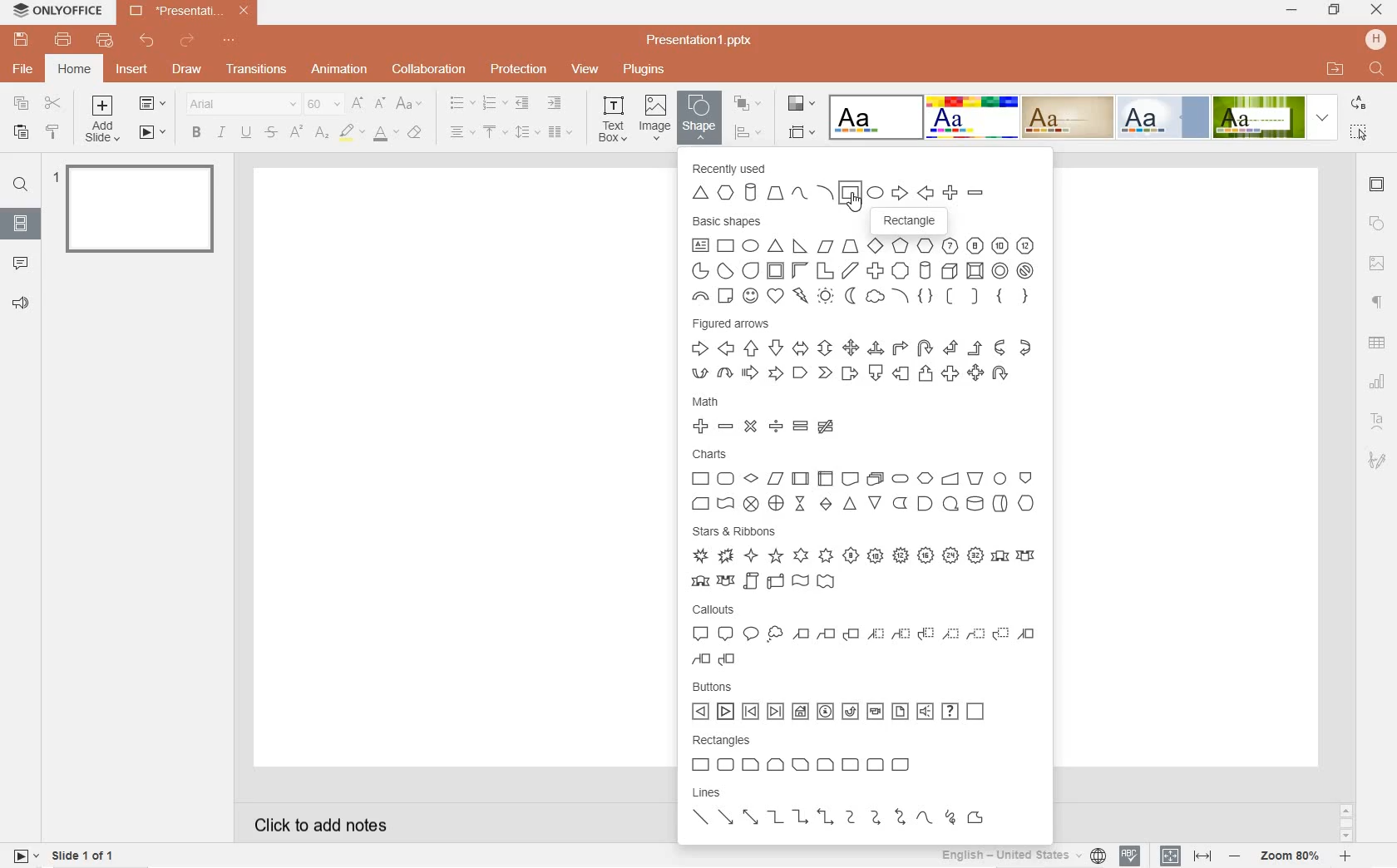 The height and width of the screenshot is (868, 1397). I want to click on U-turn Arrow, so click(924, 350).